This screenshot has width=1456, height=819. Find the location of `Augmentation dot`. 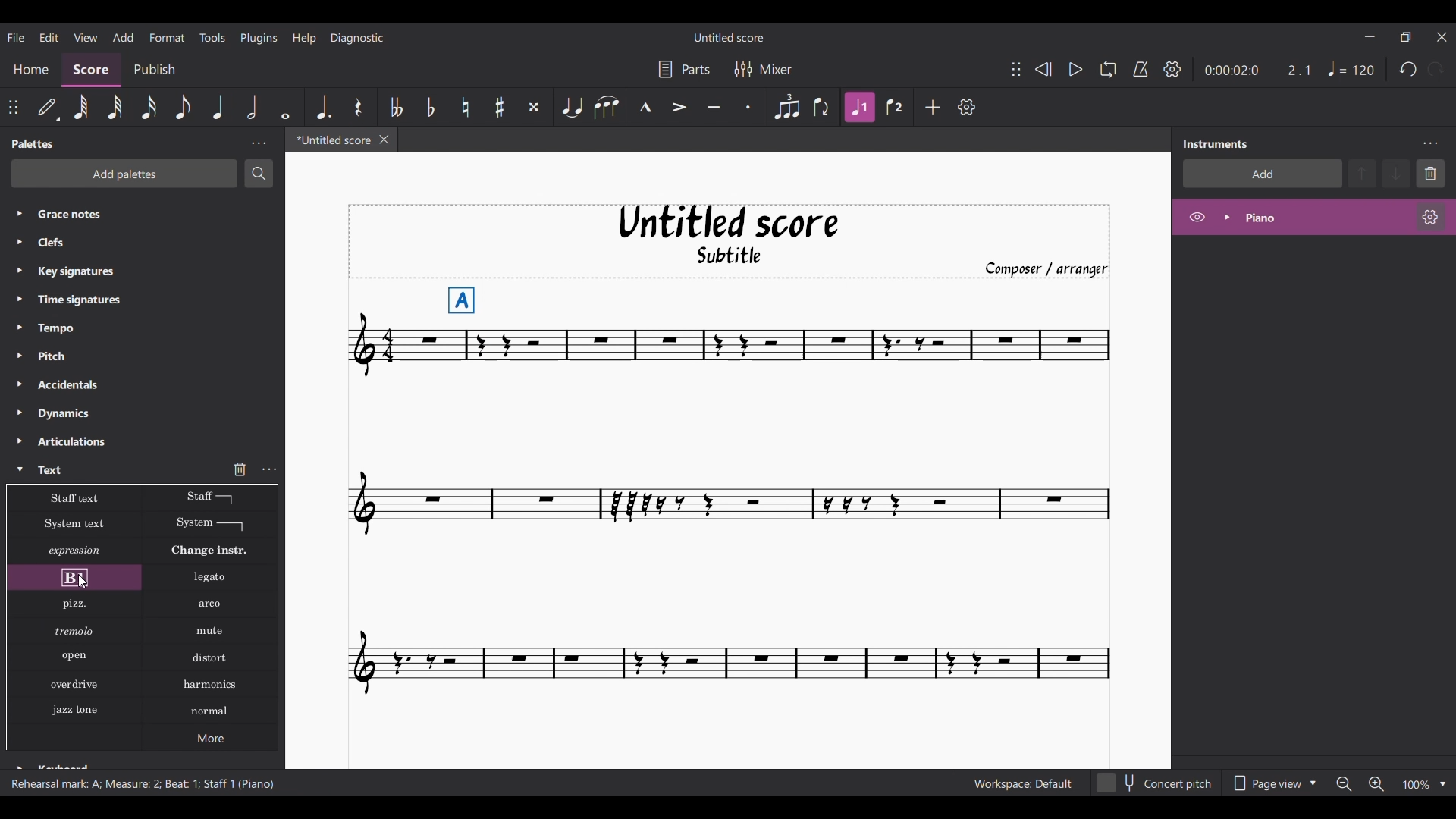

Augmentation dot is located at coordinates (324, 108).